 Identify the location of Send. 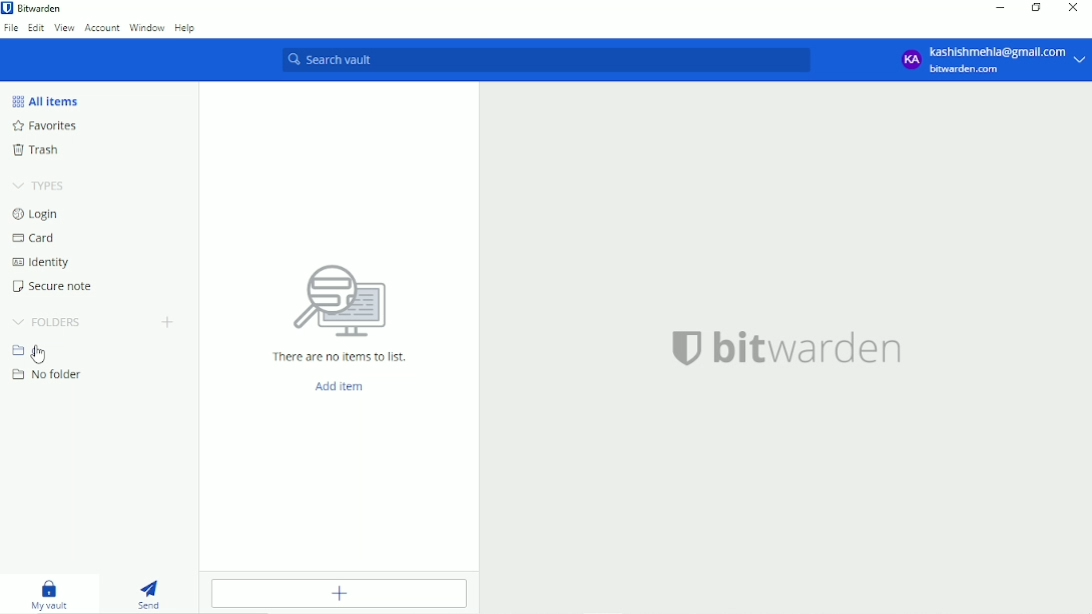
(155, 594).